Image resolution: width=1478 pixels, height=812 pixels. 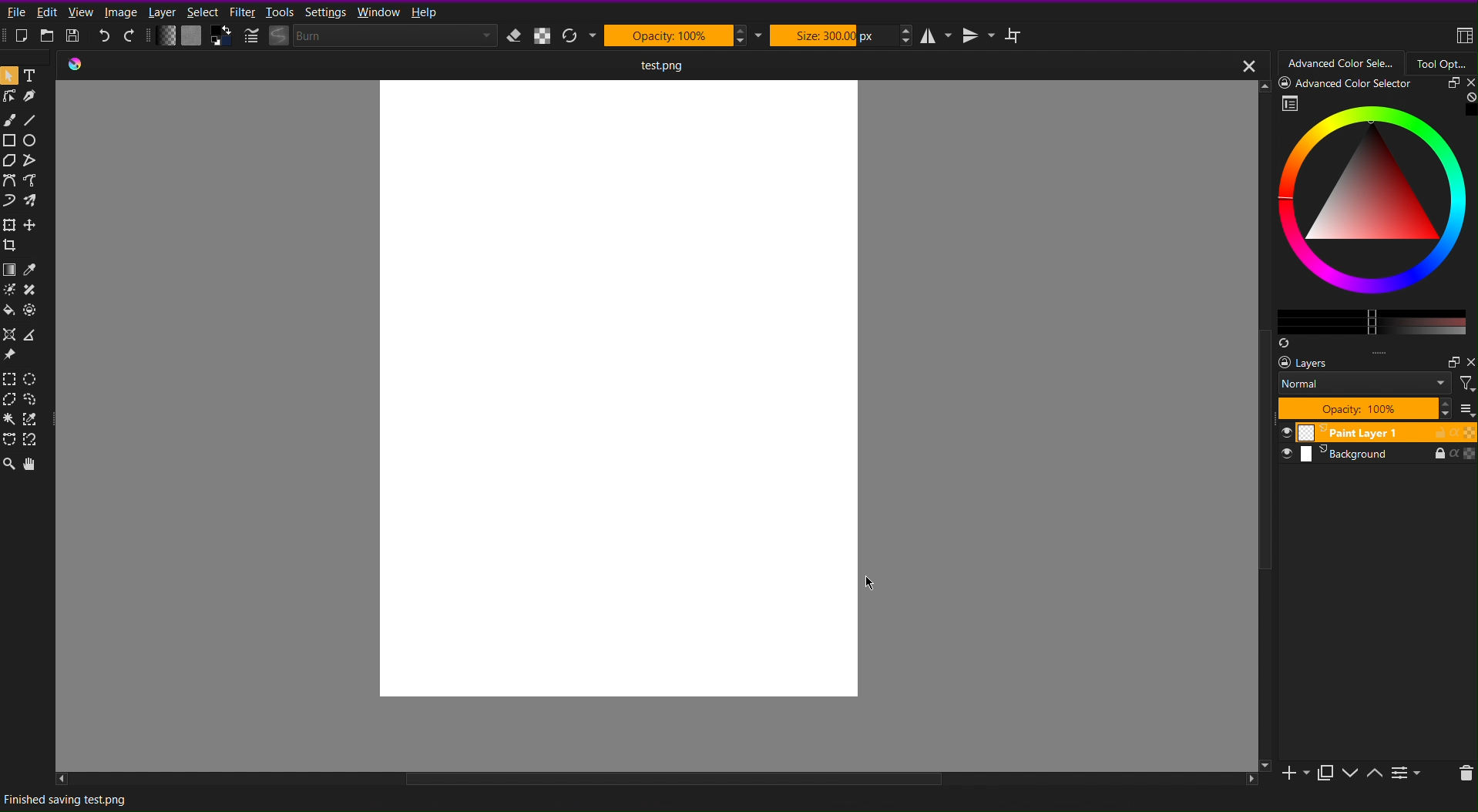 I want to click on Advanced Color Selector, so click(x=1342, y=64).